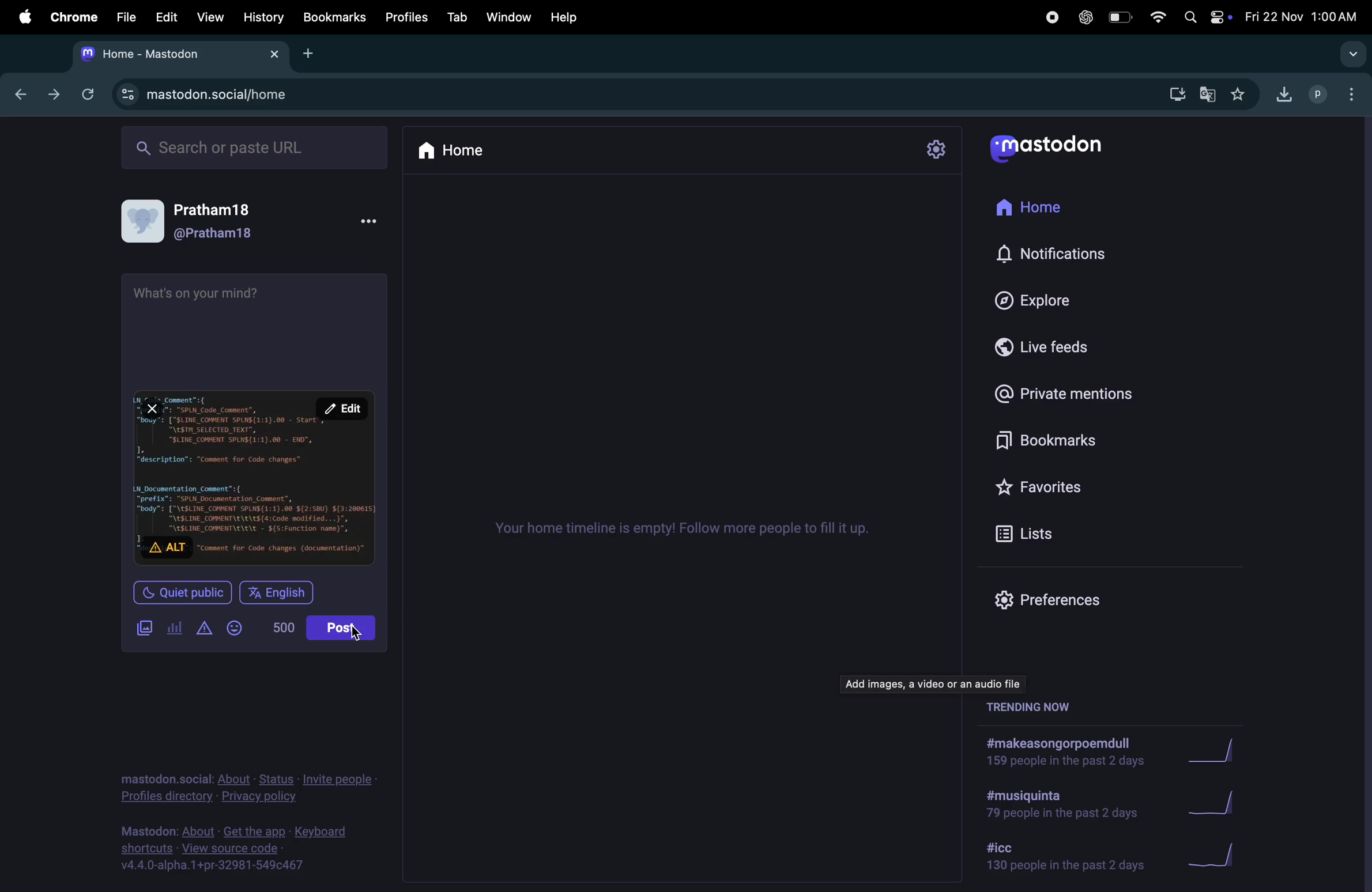  Describe the element at coordinates (1189, 17) in the screenshot. I see `spotlight search` at that location.